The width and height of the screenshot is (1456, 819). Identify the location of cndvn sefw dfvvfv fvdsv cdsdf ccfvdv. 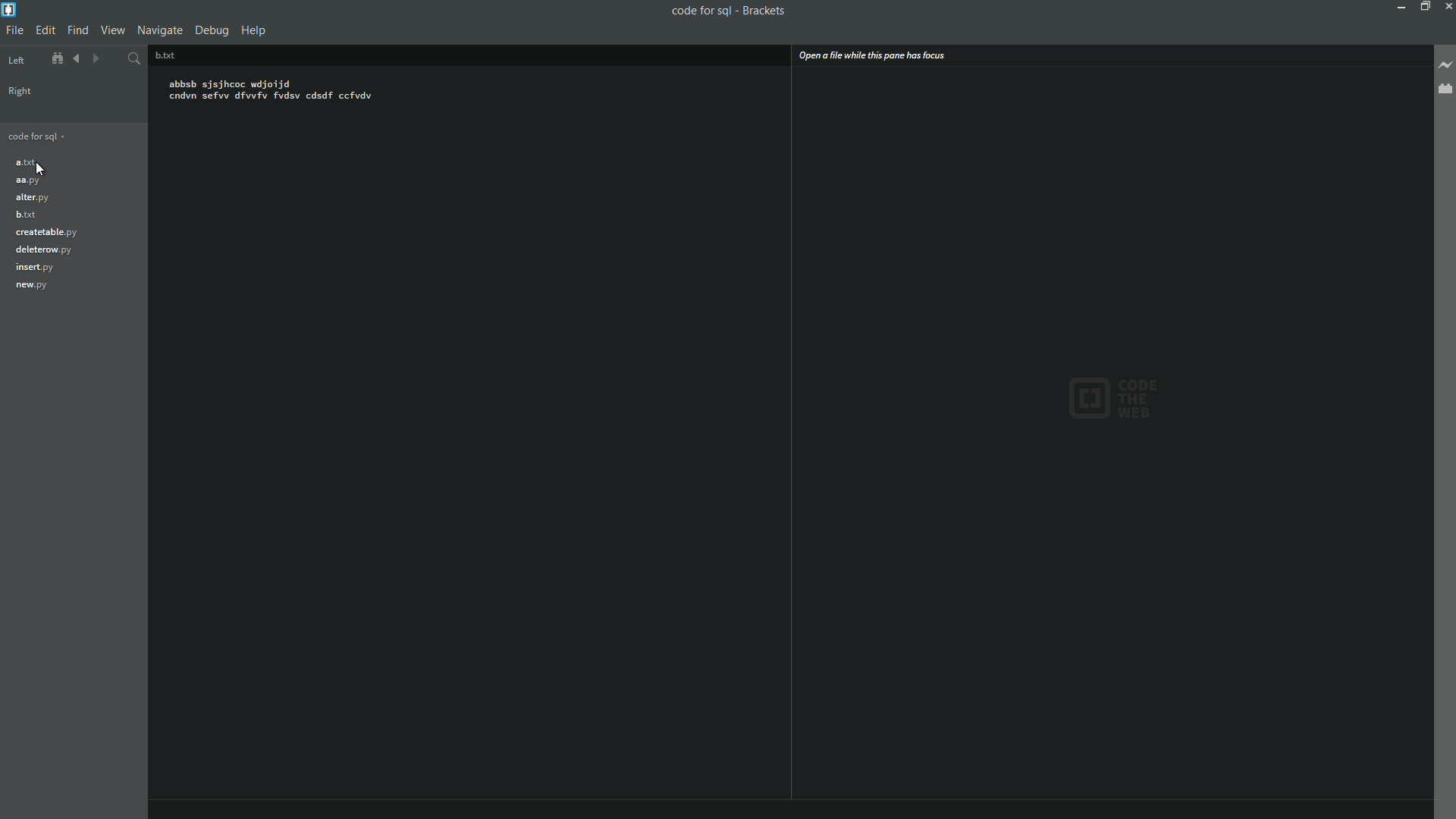
(272, 99).